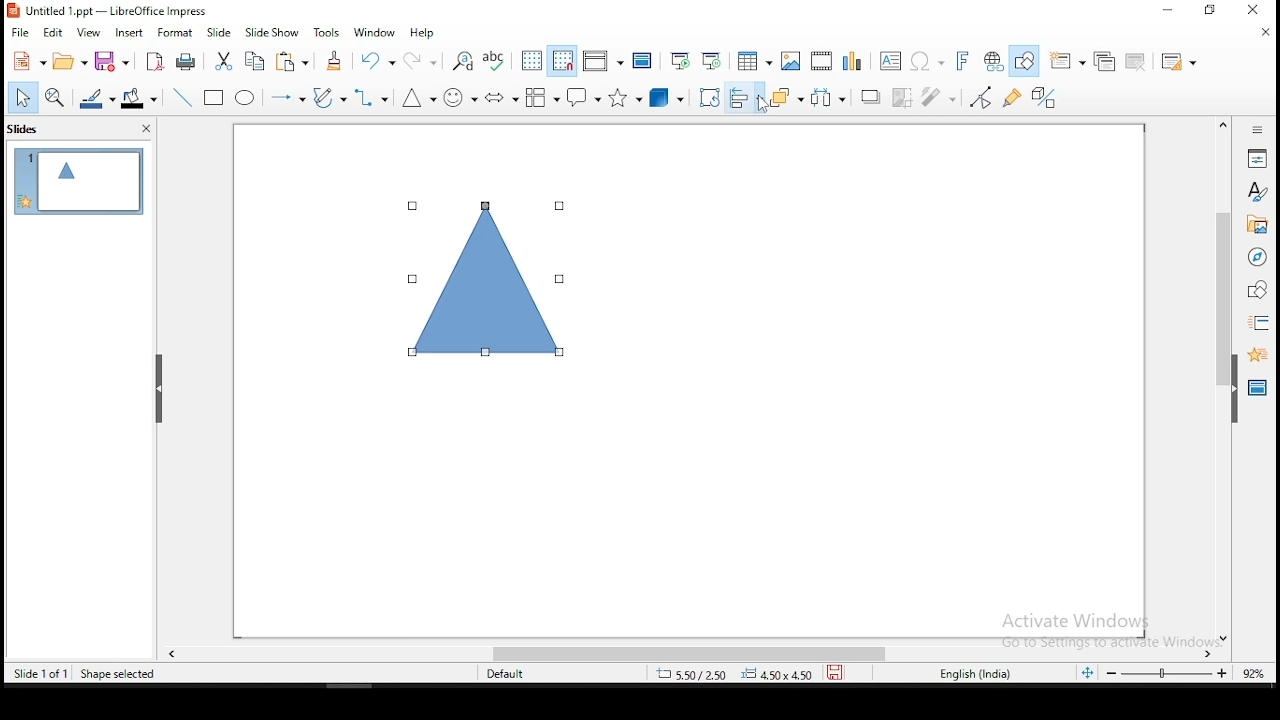 Image resolution: width=1280 pixels, height=720 pixels. What do you see at coordinates (755, 61) in the screenshot?
I see `tables` at bounding box center [755, 61].